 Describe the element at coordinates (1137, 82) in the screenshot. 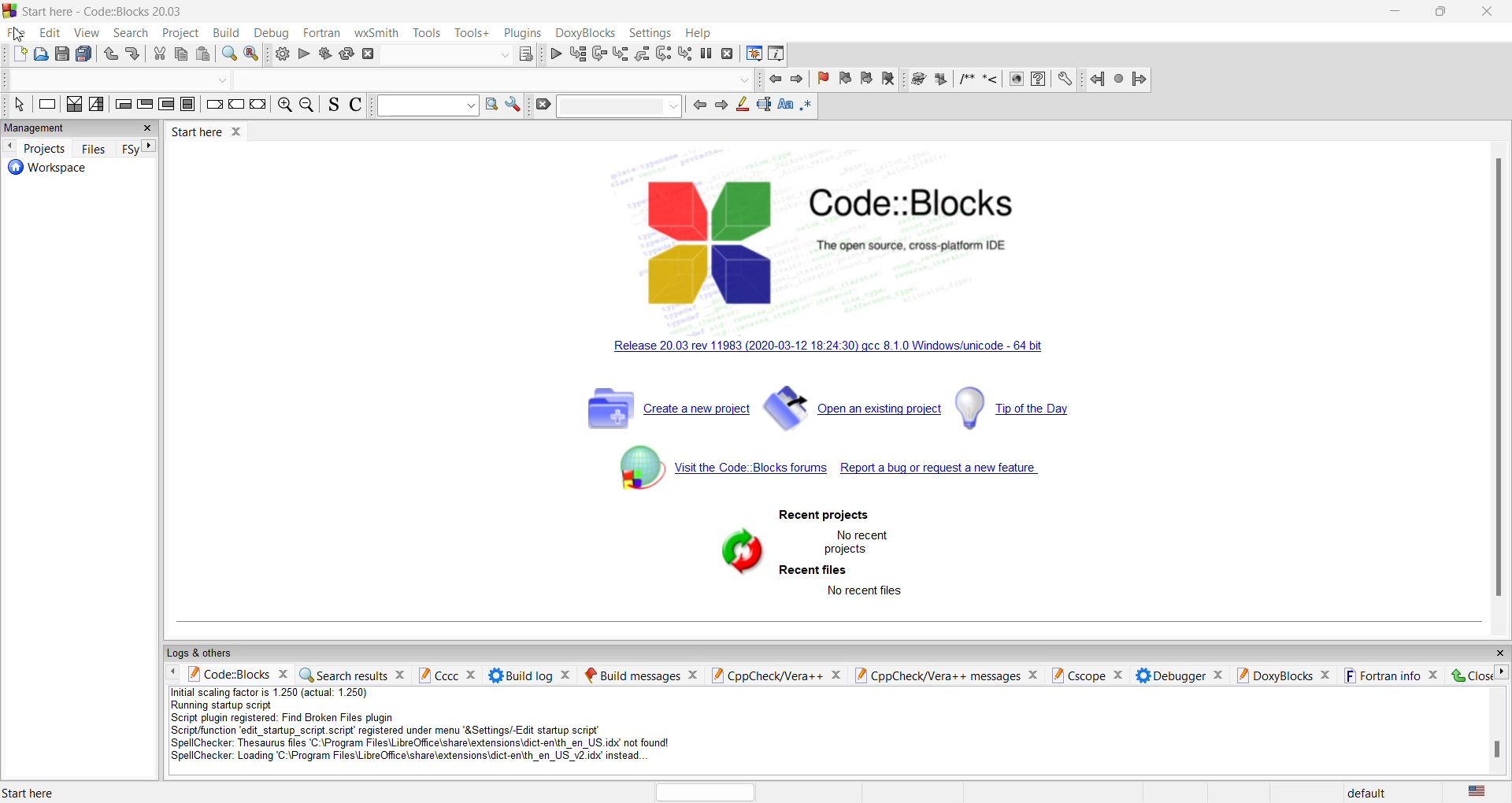

I see `jump forward` at that location.